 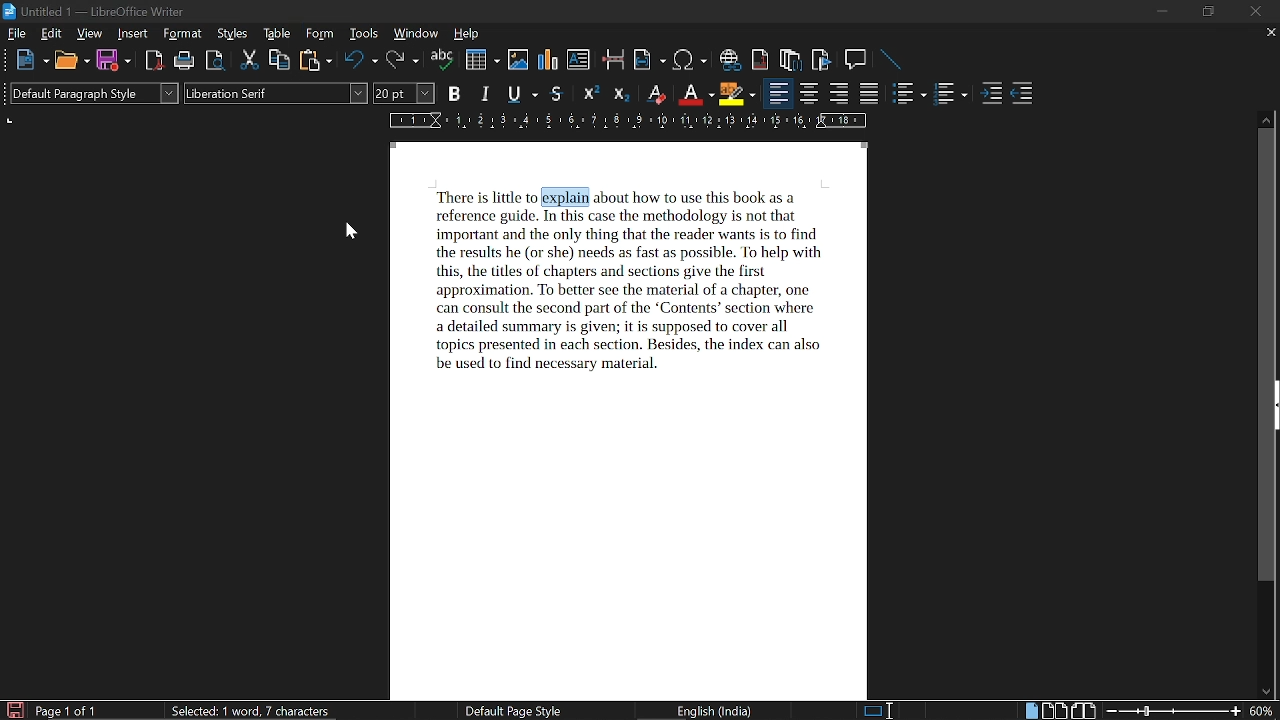 I want to click on insert symbol, so click(x=690, y=60).